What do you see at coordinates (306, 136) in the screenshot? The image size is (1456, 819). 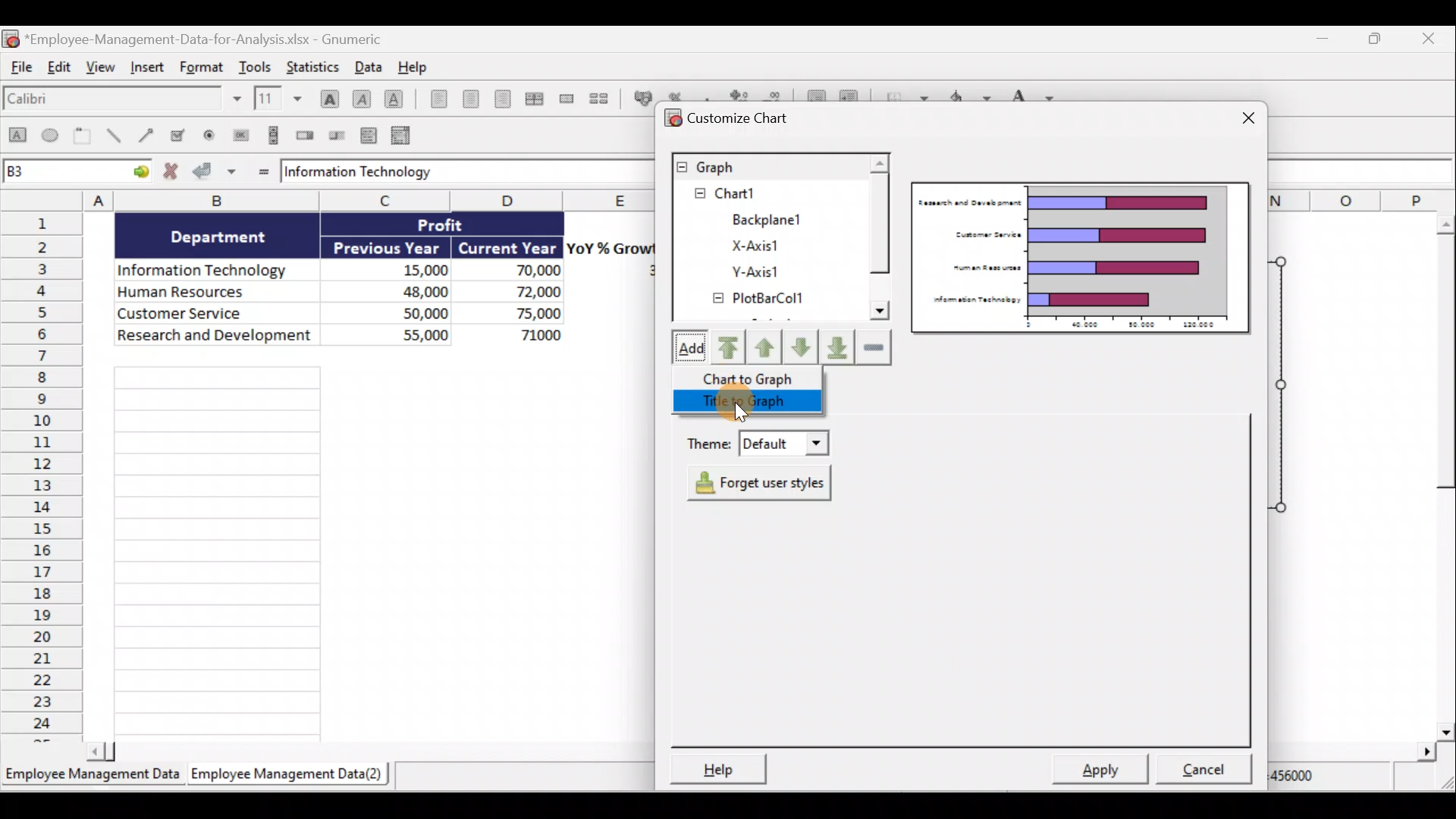 I see `Create a spin button` at bounding box center [306, 136].